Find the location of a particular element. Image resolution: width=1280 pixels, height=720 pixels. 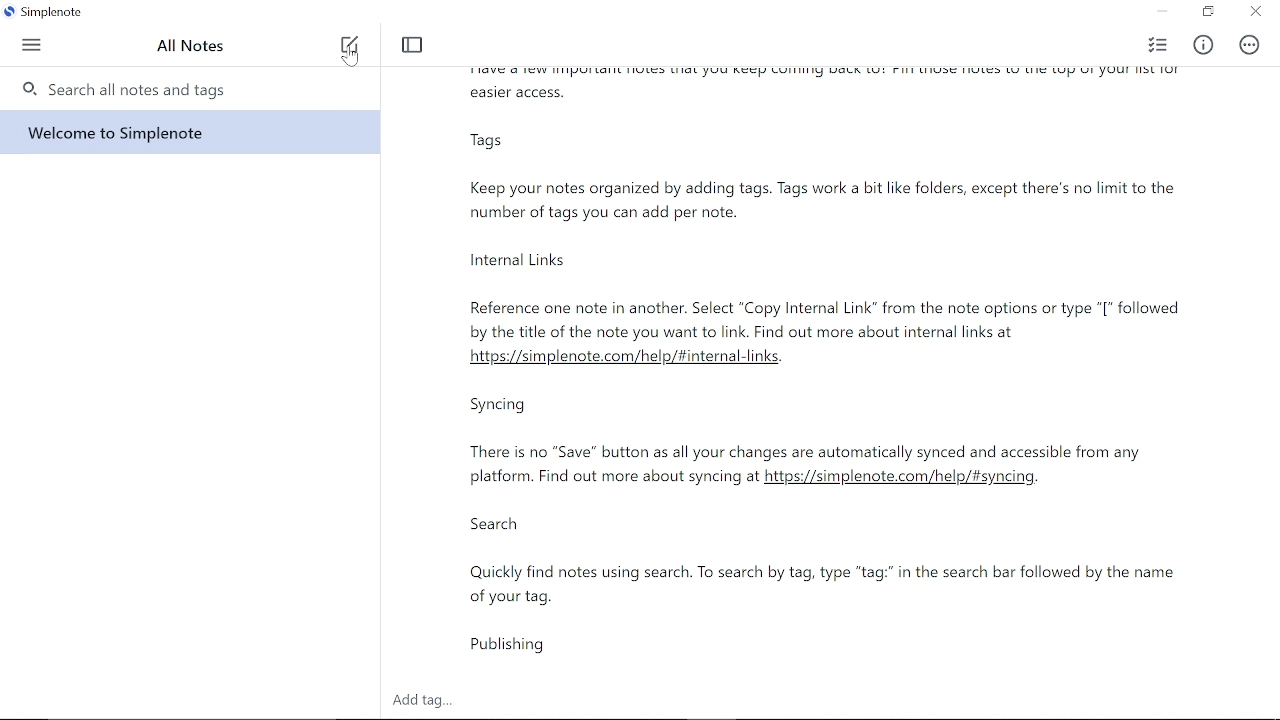

Currently opened note is located at coordinates (832, 367).